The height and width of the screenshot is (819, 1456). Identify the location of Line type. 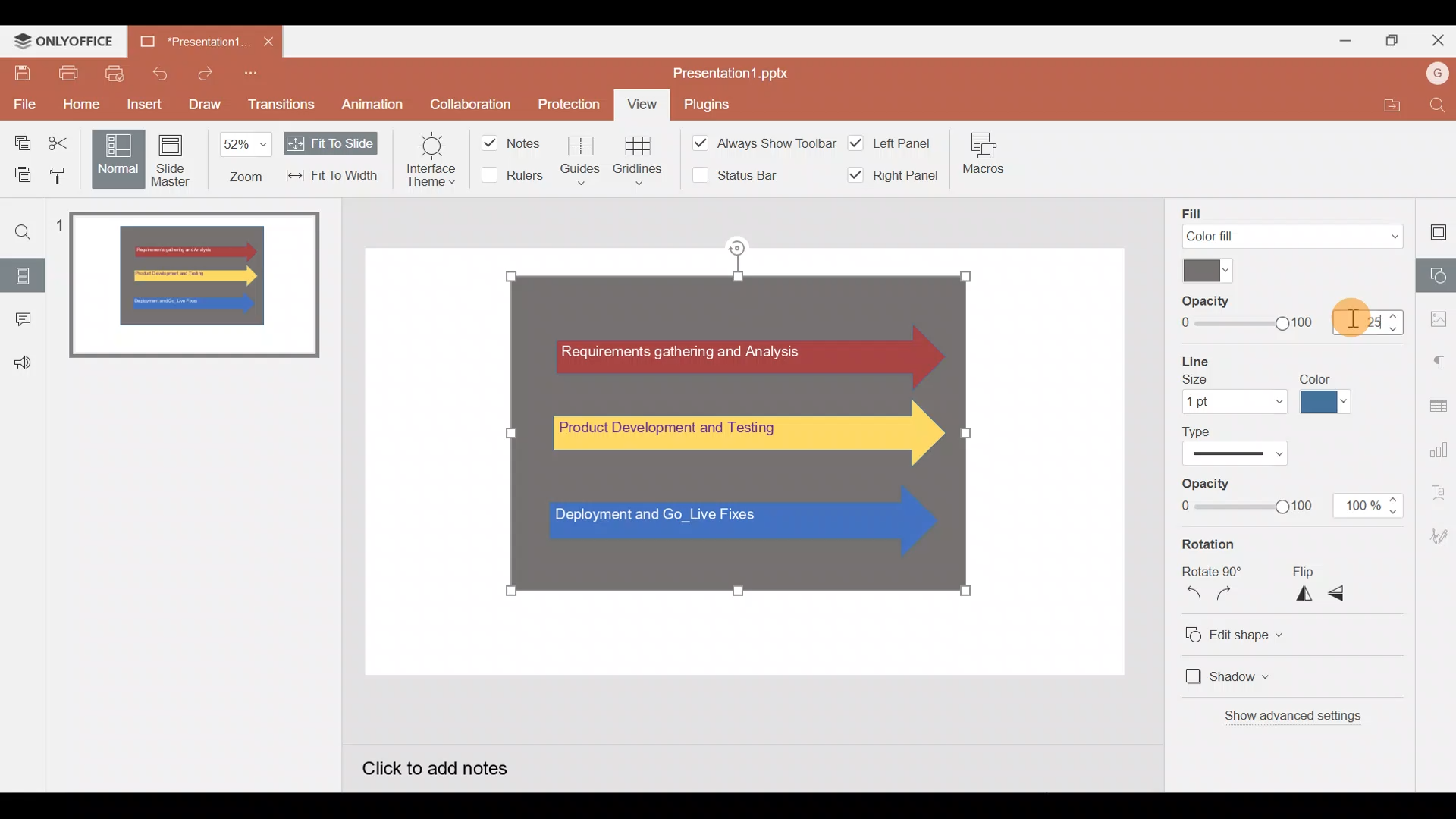
(1246, 444).